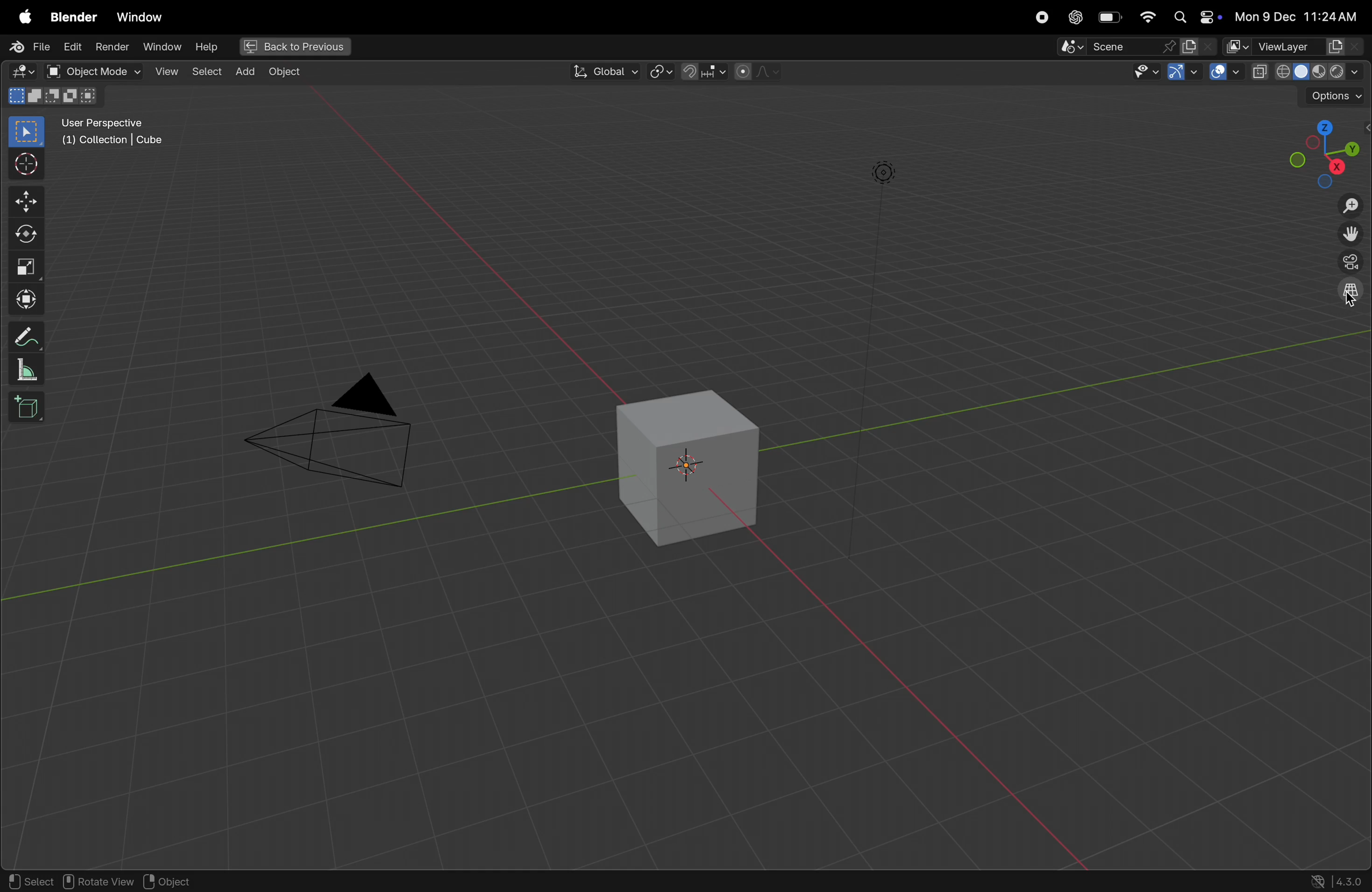 This screenshot has height=892, width=1372. What do you see at coordinates (1199, 47) in the screenshot?
I see `active layer` at bounding box center [1199, 47].